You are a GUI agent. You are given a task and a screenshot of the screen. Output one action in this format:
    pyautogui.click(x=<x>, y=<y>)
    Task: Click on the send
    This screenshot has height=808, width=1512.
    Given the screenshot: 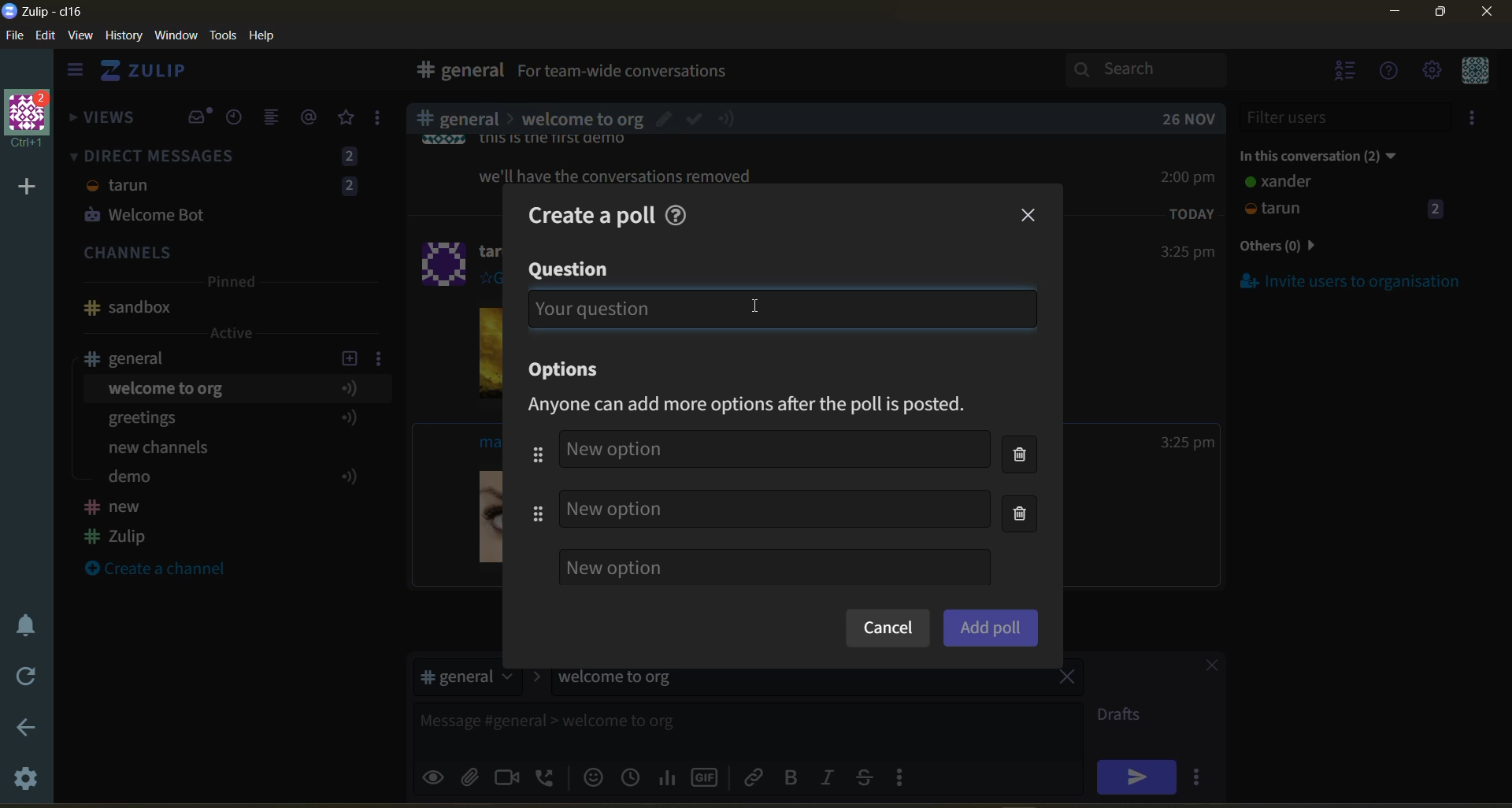 What is the action you would take?
    pyautogui.click(x=1136, y=776)
    